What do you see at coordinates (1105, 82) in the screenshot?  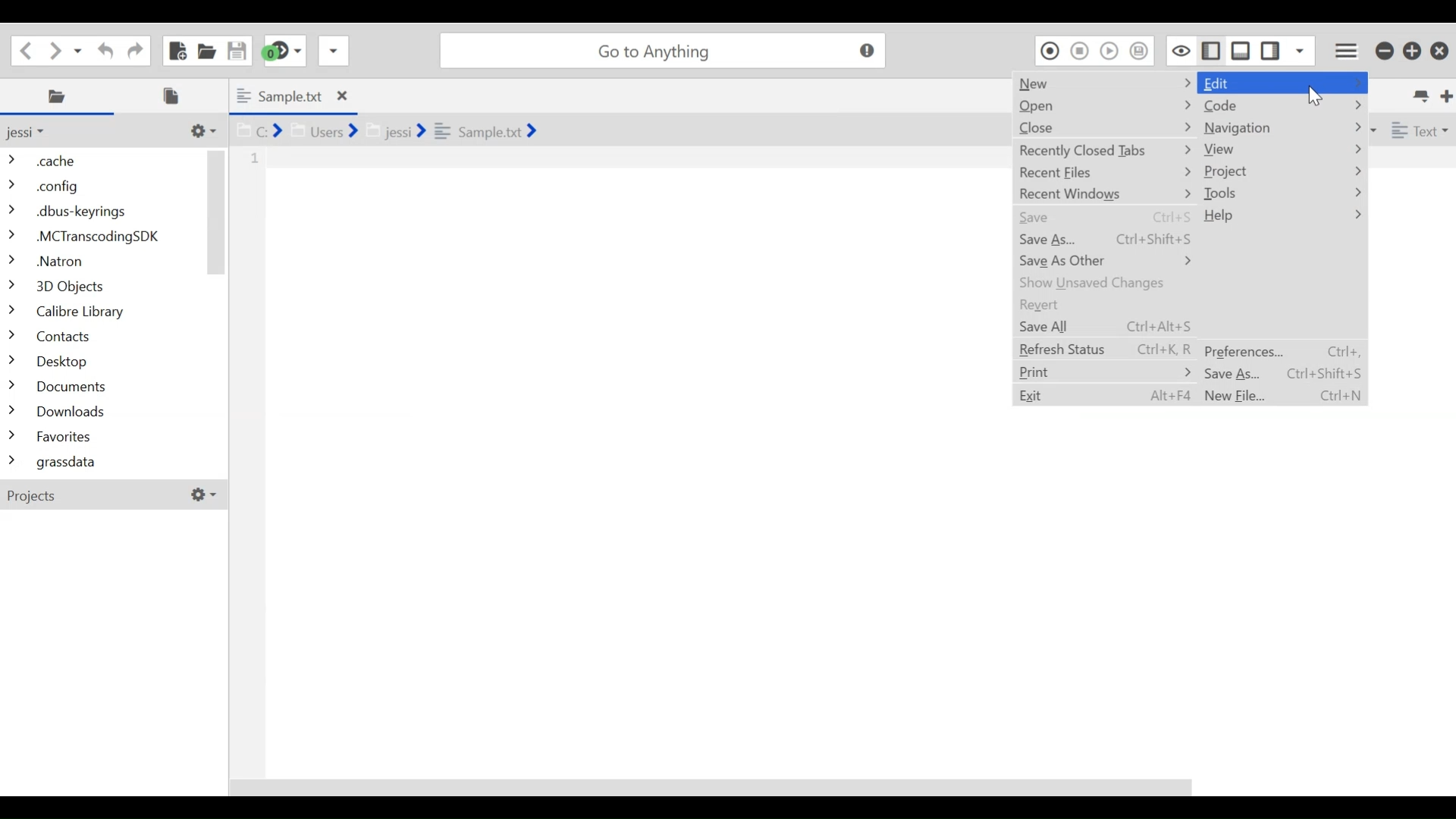 I see `New` at bounding box center [1105, 82].